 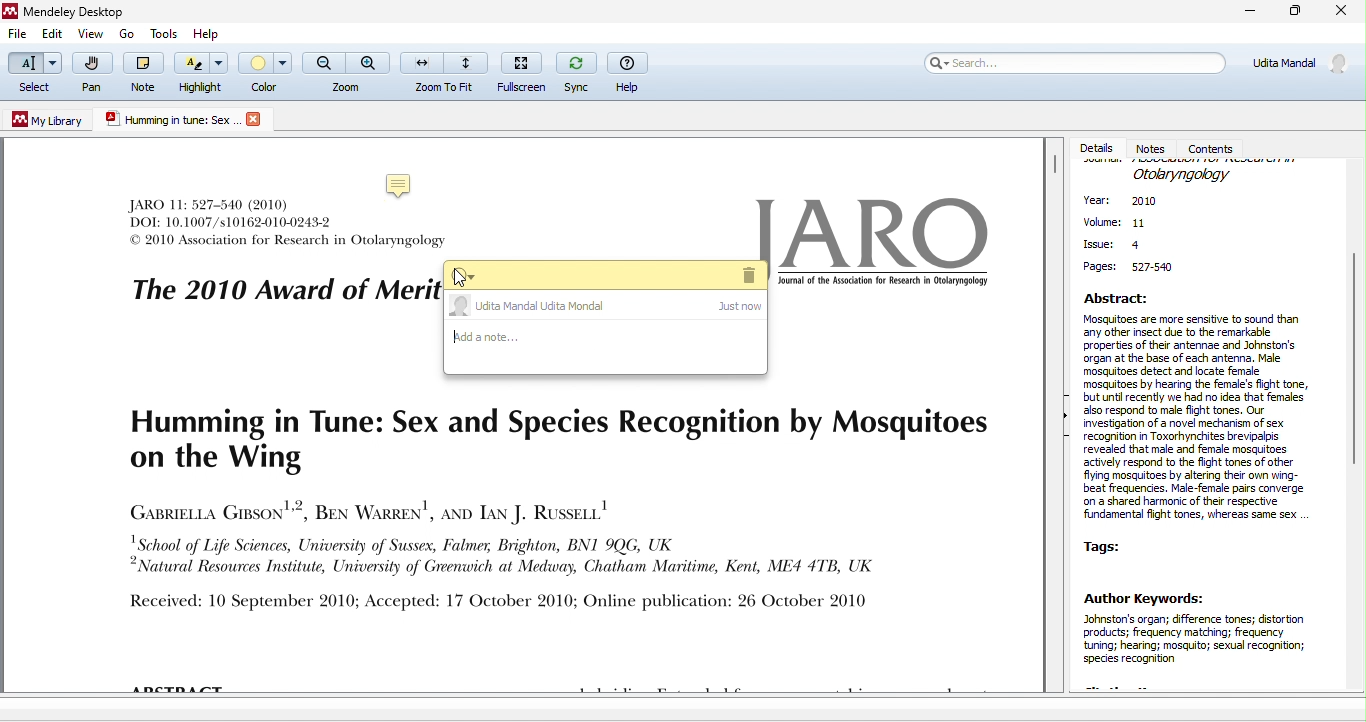 I want to click on udita mandal , so click(x=602, y=307).